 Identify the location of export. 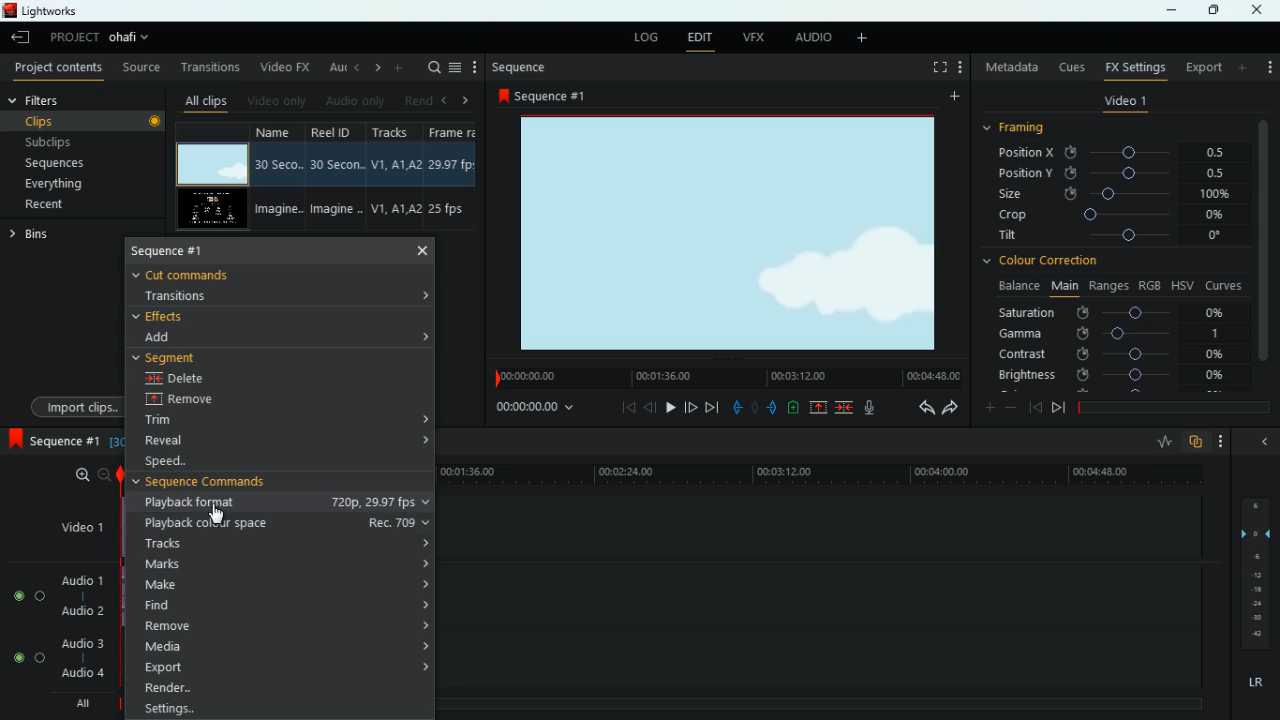
(1203, 66).